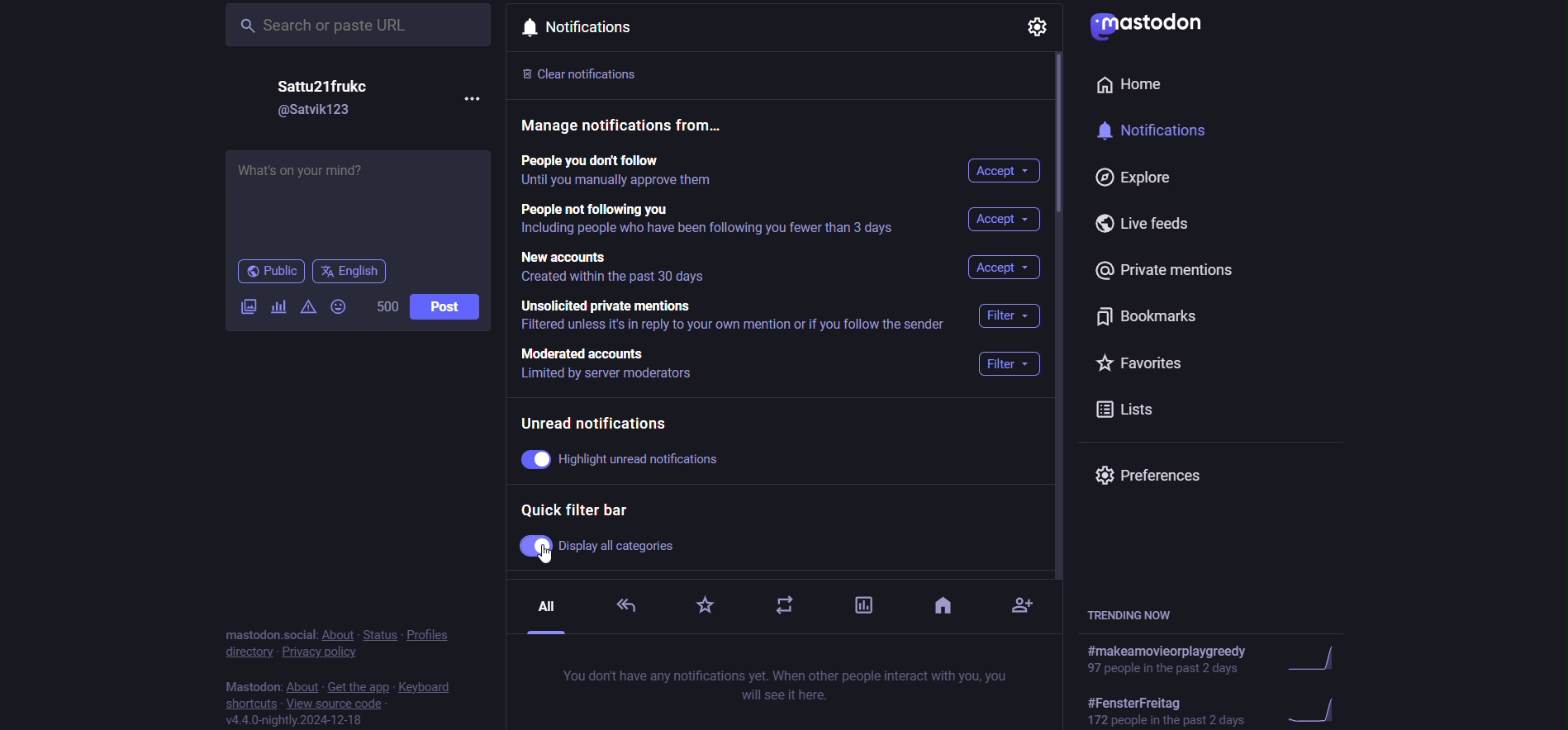 The width and height of the screenshot is (1568, 730). What do you see at coordinates (584, 77) in the screenshot?
I see `clear notifications` at bounding box center [584, 77].